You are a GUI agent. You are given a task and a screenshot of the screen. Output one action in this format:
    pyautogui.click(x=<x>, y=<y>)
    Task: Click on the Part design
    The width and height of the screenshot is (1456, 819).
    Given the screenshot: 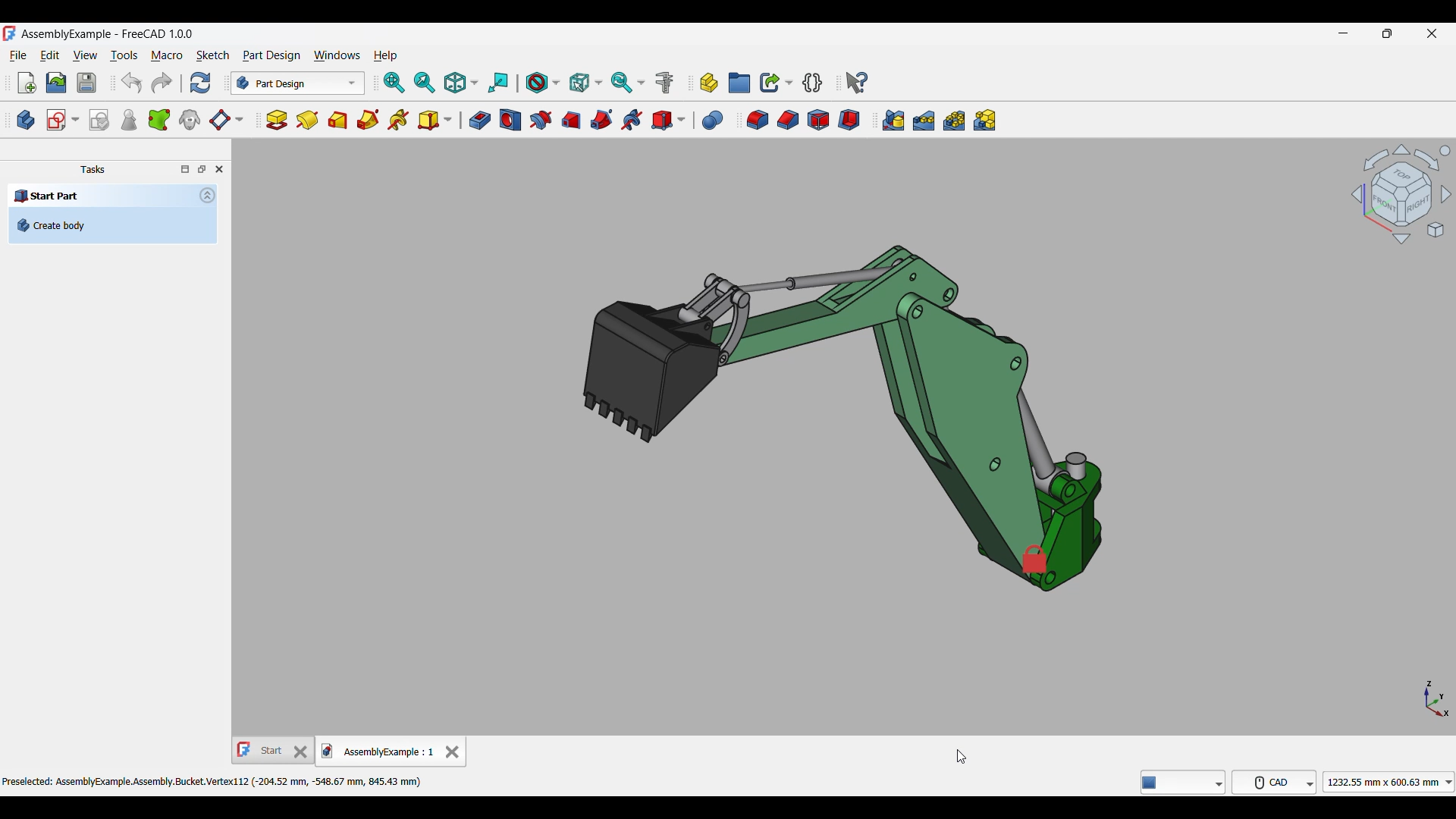 What is the action you would take?
    pyautogui.click(x=271, y=55)
    